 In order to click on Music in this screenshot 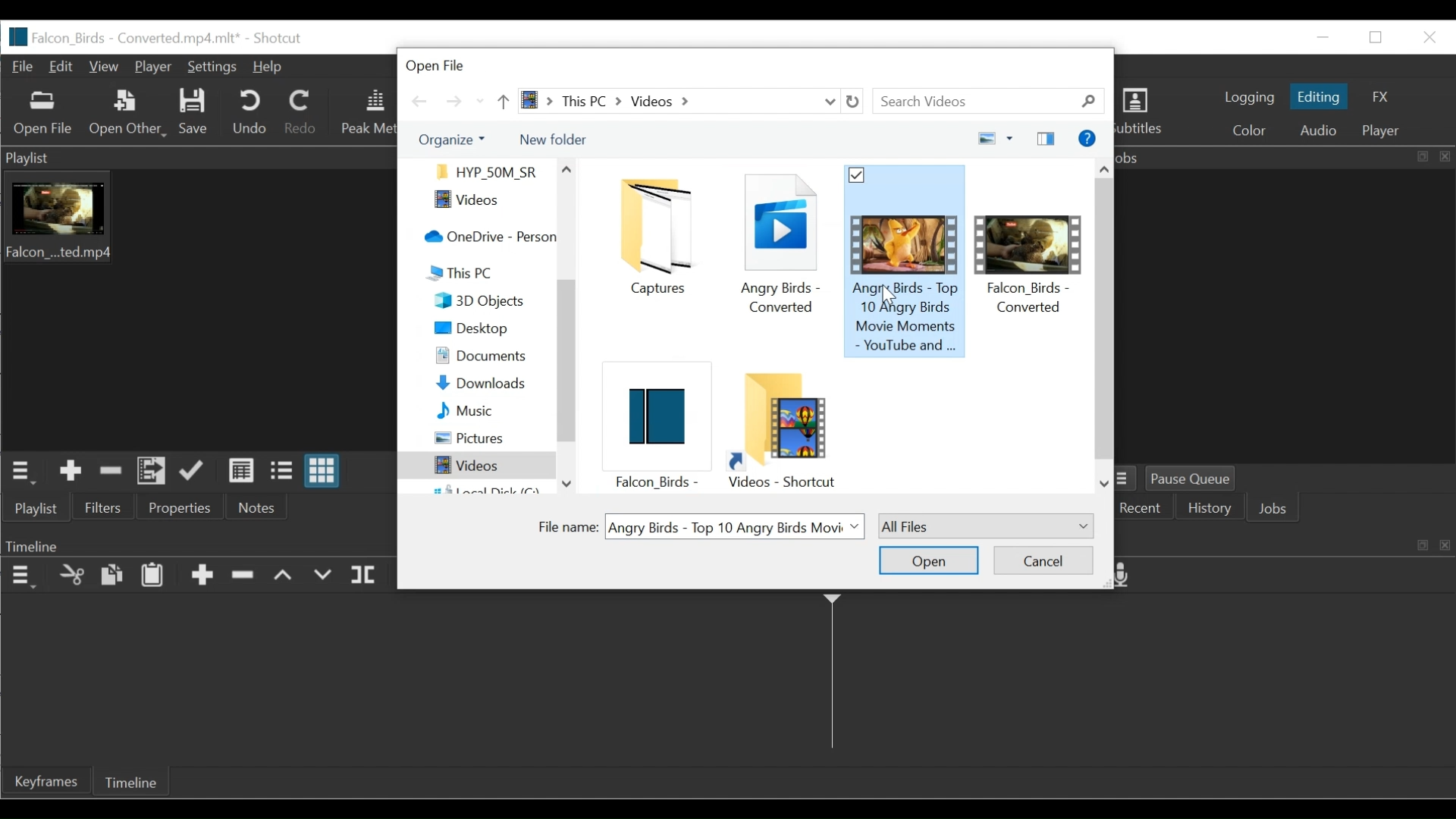, I will do `click(480, 409)`.